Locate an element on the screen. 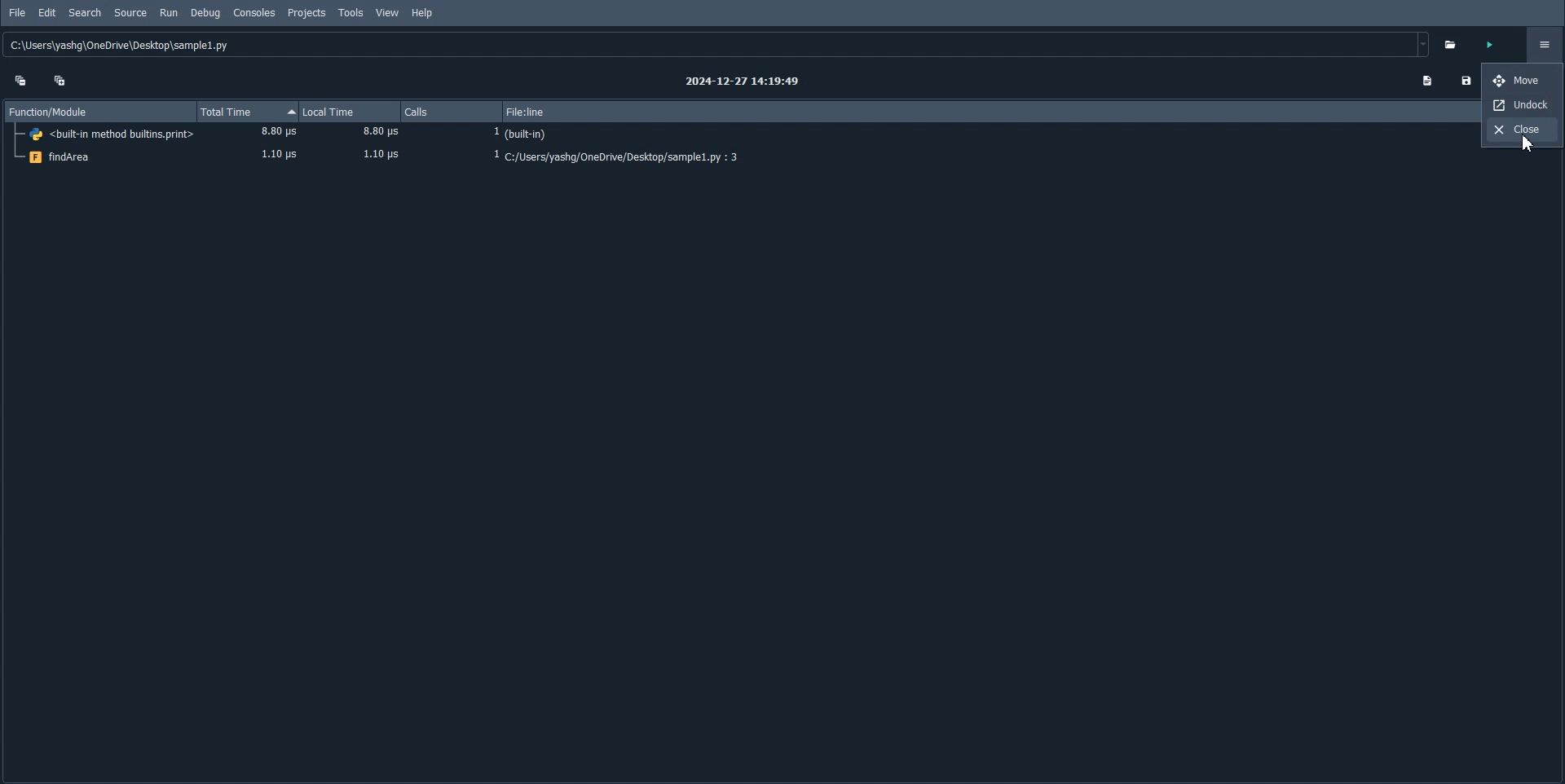 The image size is (1565, 784). <built-in method buitlin print> is located at coordinates (740, 134).